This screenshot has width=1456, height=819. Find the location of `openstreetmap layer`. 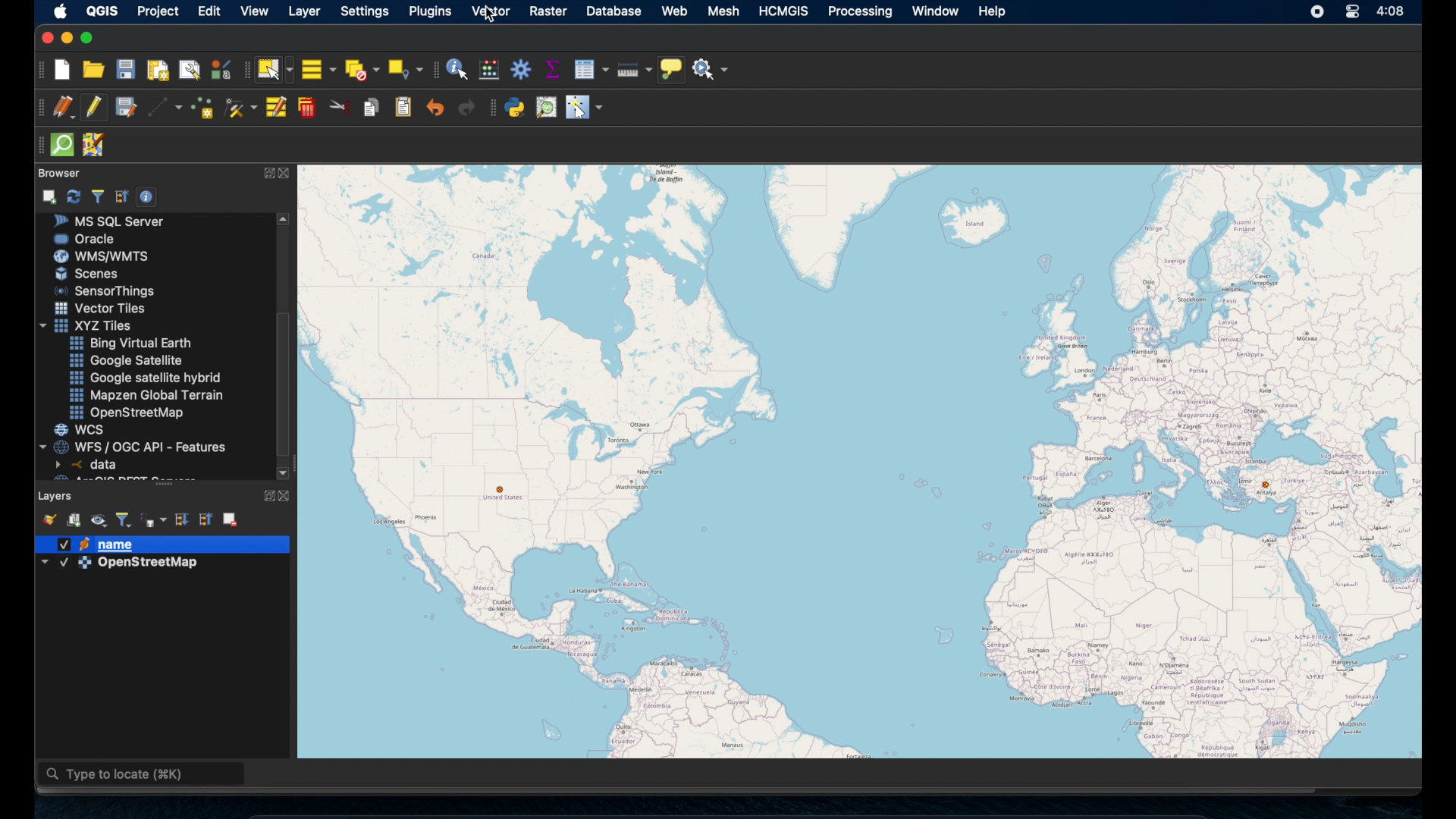

openstreetmap layer is located at coordinates (121, 566).